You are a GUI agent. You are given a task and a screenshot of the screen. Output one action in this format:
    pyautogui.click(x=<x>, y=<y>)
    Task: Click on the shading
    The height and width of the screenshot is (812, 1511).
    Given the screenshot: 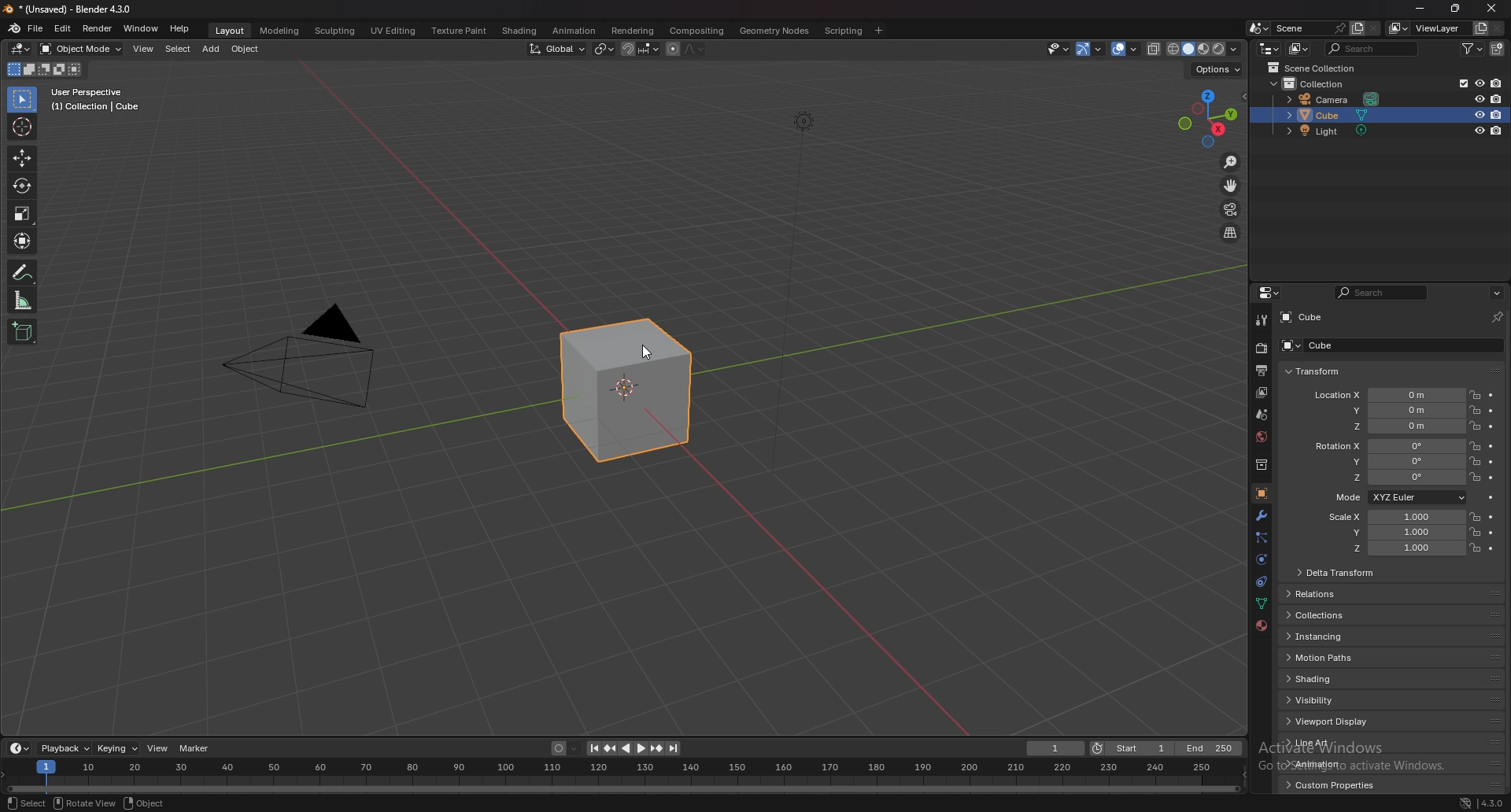 What is the action you would take?
    pyautogui.click(x=1329, y=679)
    